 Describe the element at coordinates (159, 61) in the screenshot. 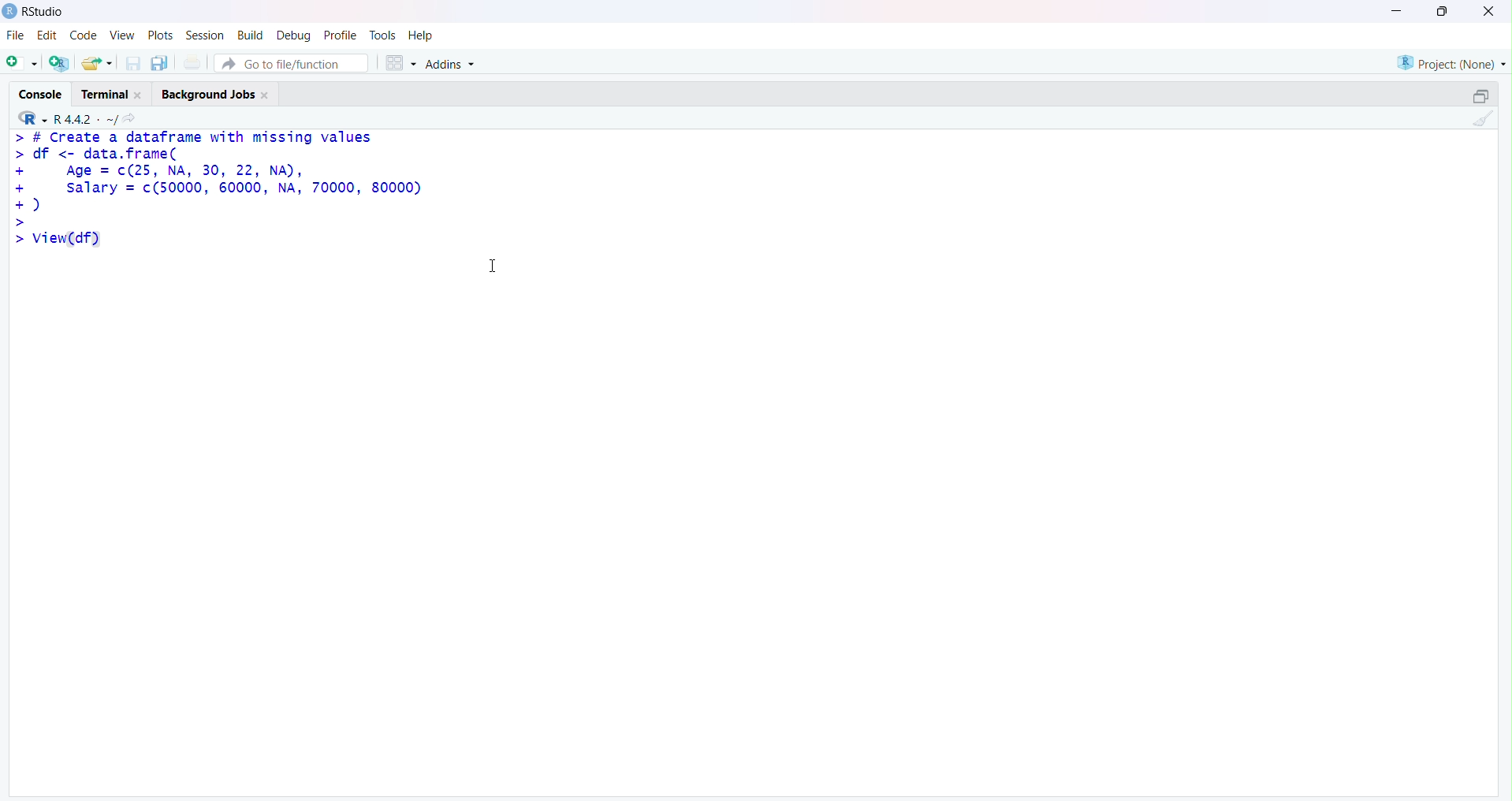

I see `Save all open documents (Ctrl + Alt + S)` at that location.